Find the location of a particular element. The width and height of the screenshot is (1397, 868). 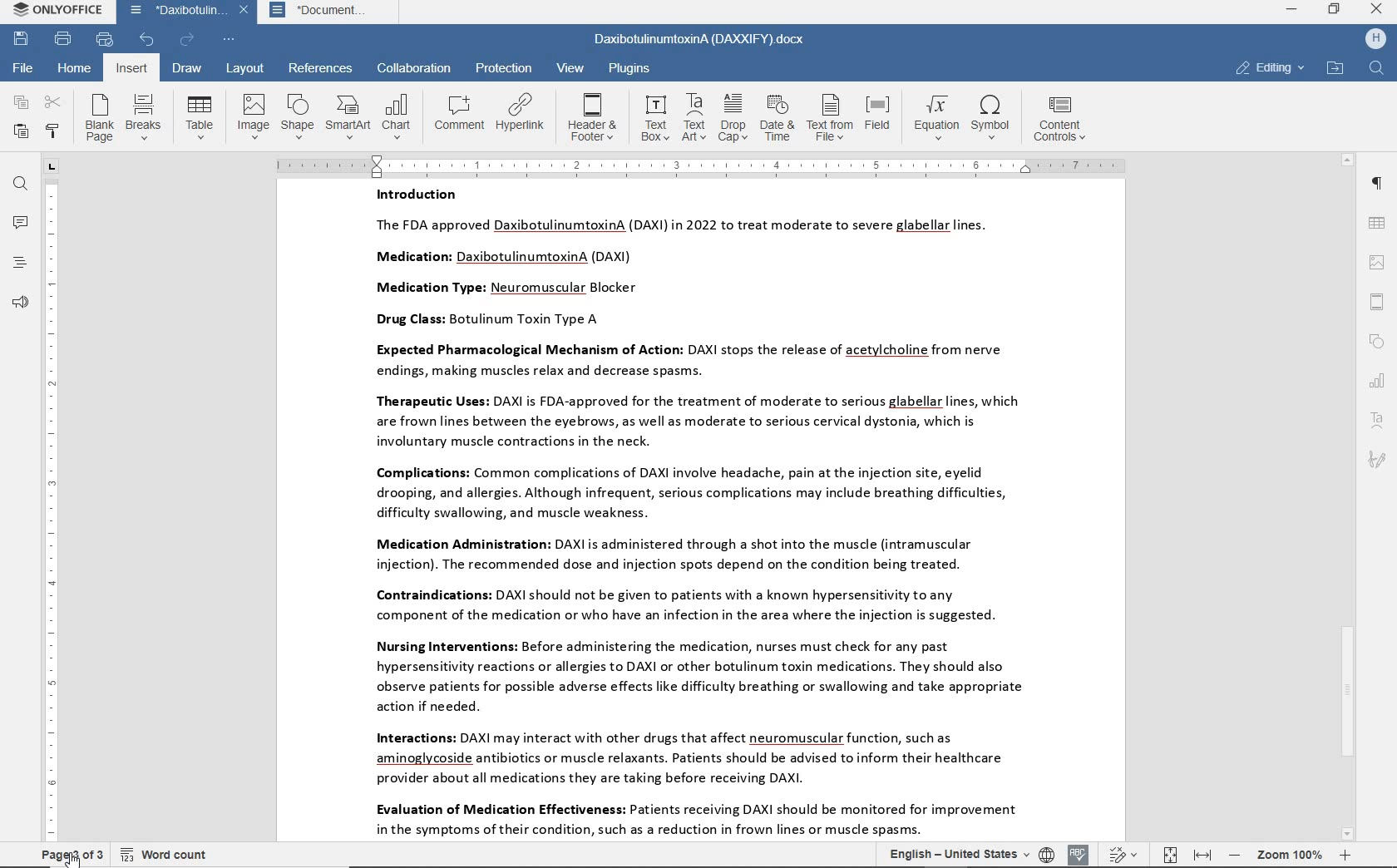

editing is located at coordinates (1270, 67).